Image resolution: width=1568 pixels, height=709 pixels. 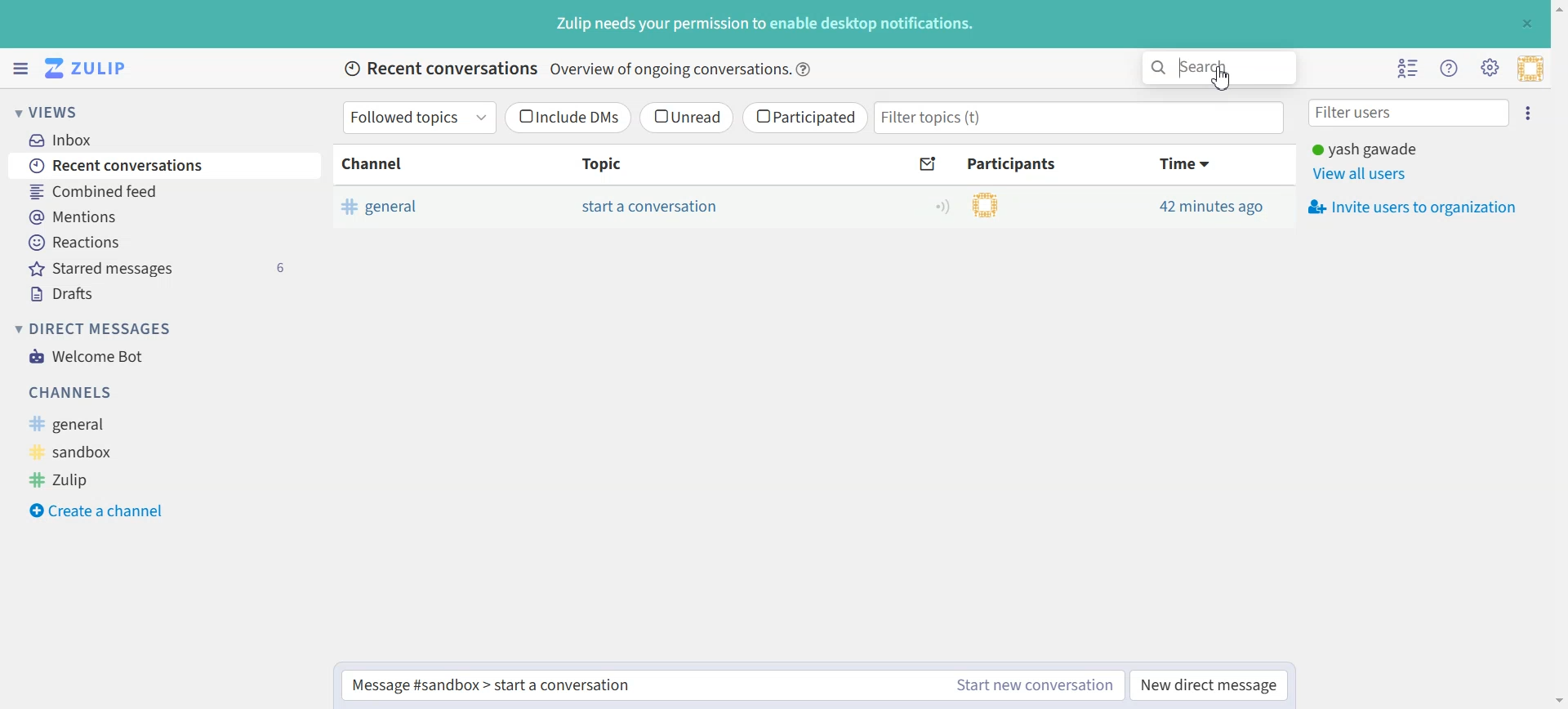 I want to click on Start a conversation, so click(x=649, y=207).